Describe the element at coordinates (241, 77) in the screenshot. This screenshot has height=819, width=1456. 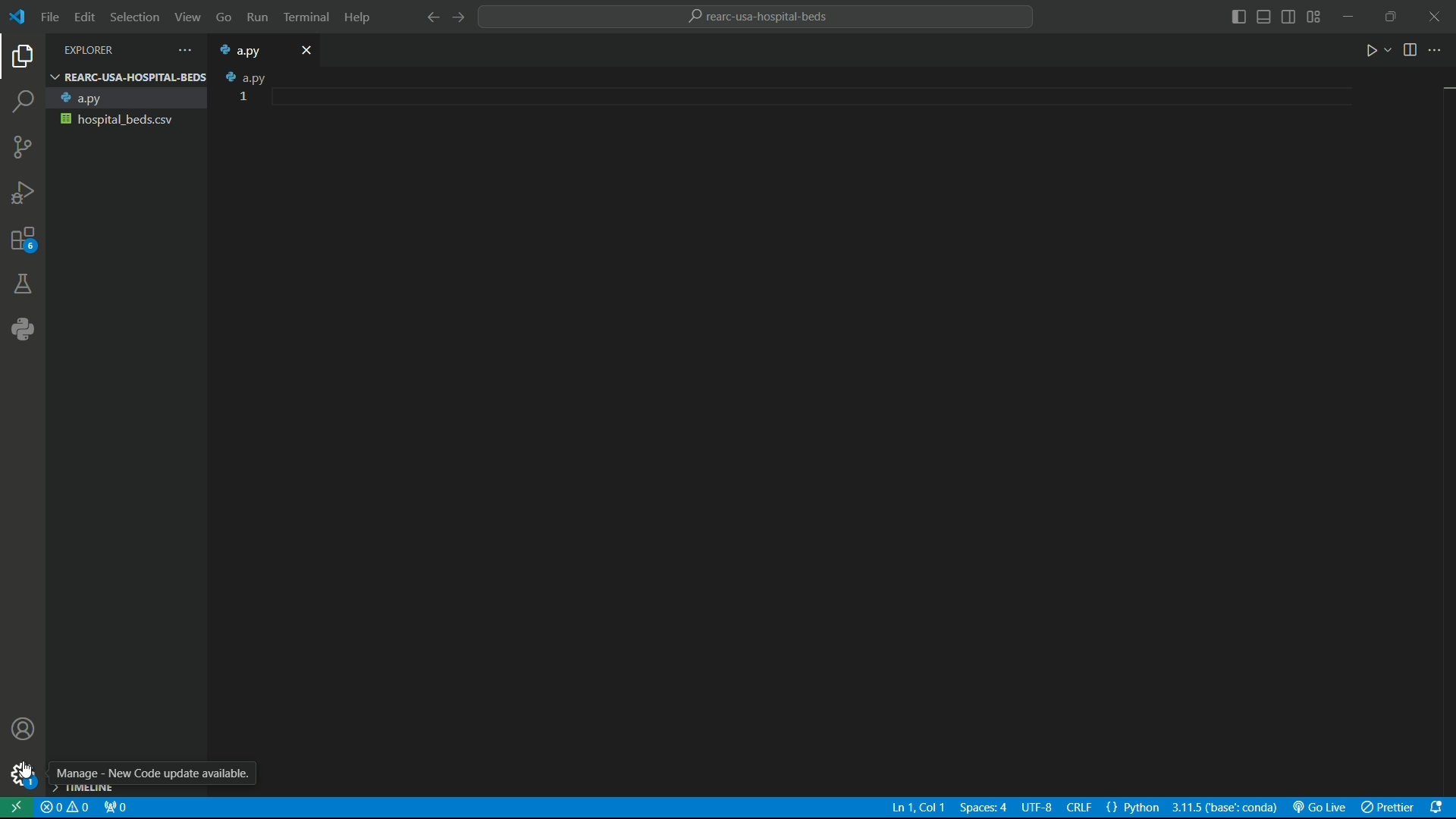
I see `a.py` at that location.